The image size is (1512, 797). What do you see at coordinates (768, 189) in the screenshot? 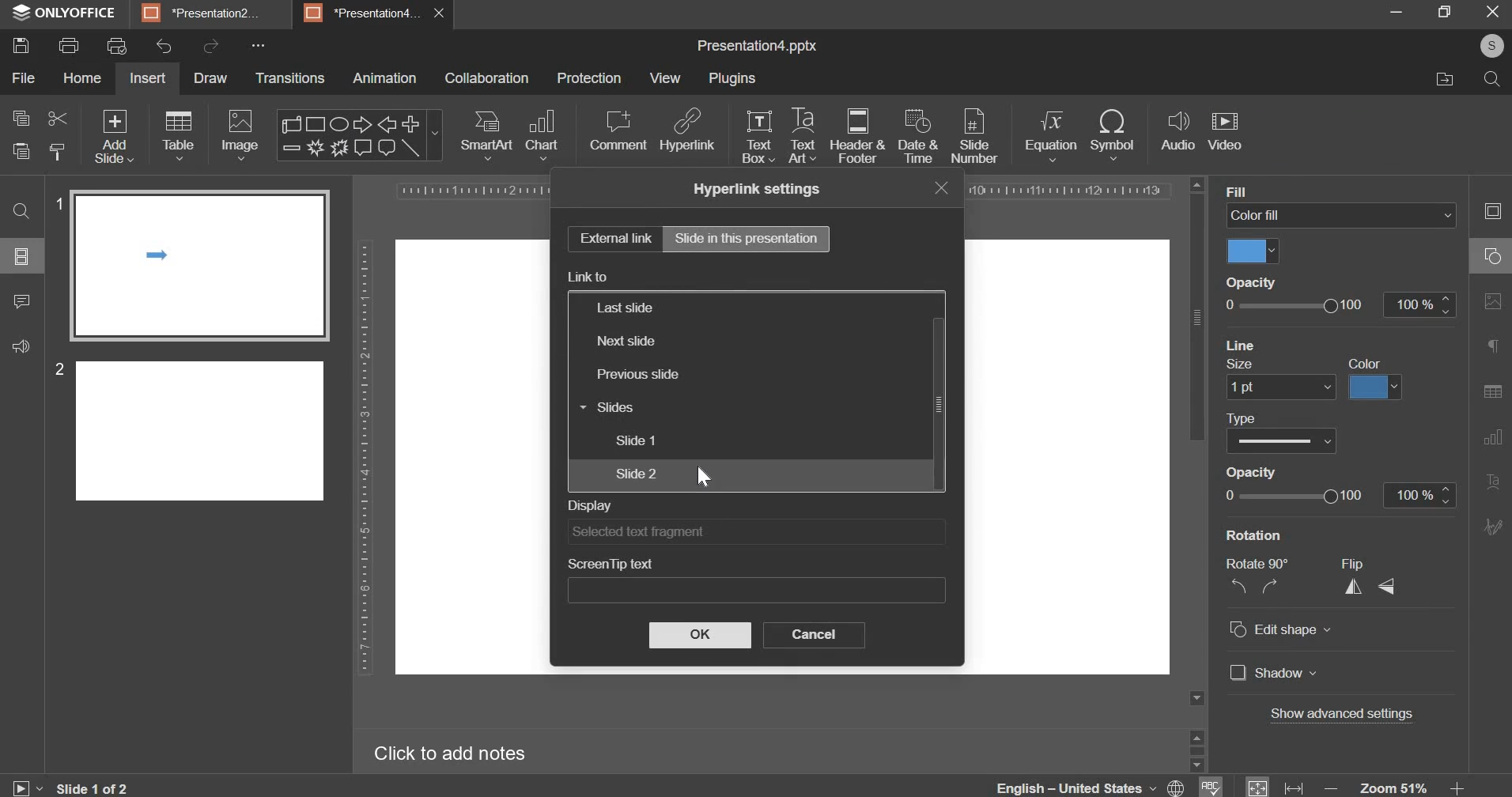
I see `Hyperlink settings` at bounding box center [768, 189].